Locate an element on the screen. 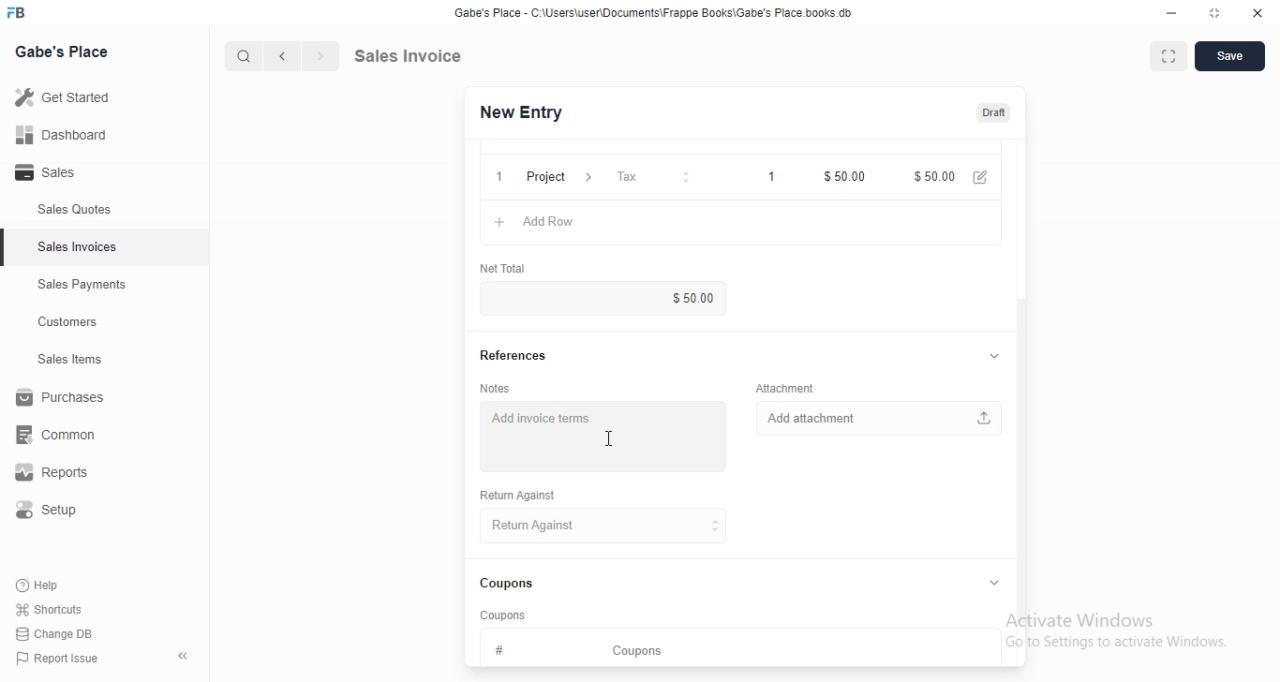  Save is located at coordinates (1230, 57).